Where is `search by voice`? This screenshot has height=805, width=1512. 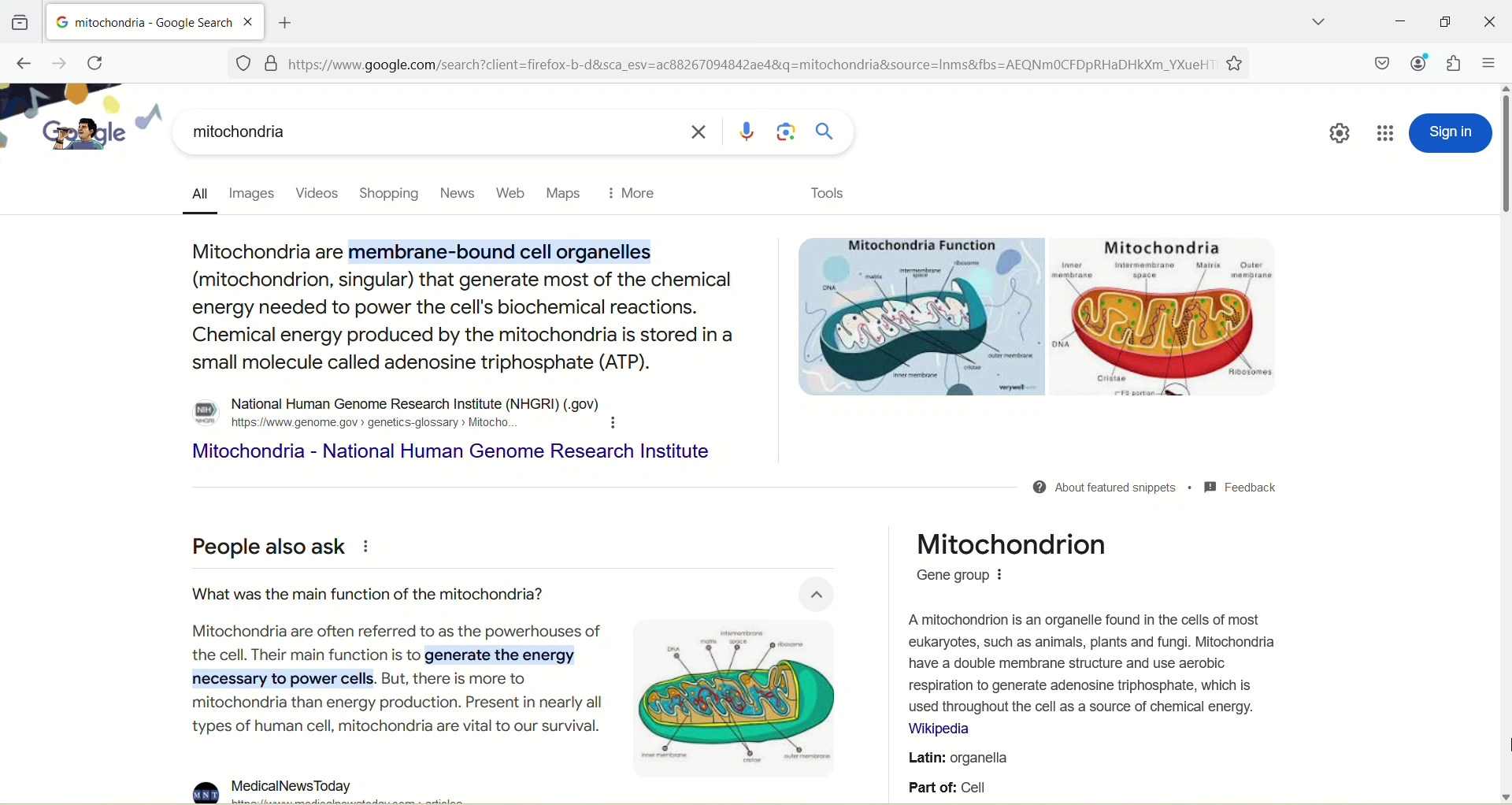 search by voice is located at coordinates (745, 132).